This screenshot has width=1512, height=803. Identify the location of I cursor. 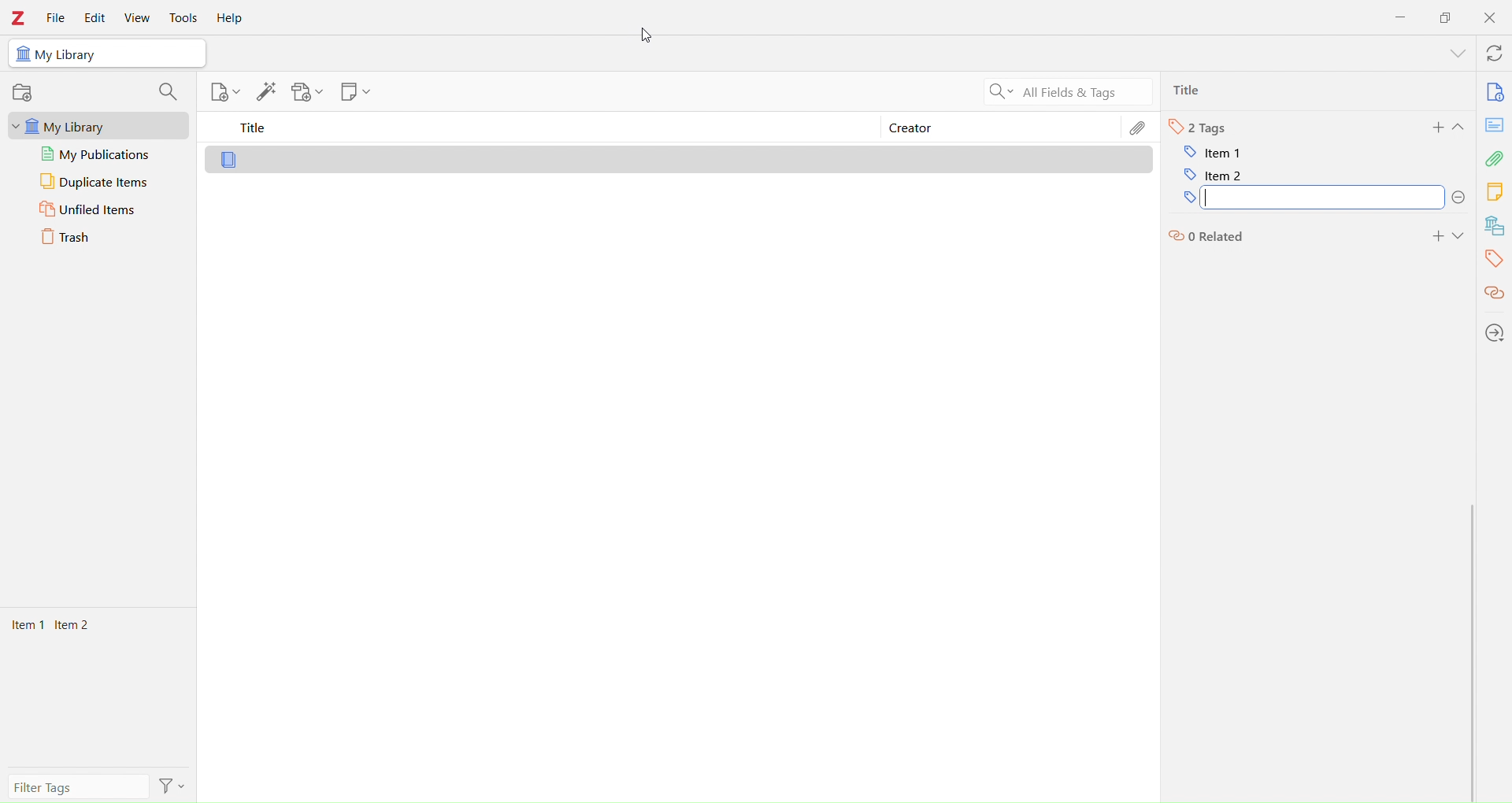
(1414, 153).